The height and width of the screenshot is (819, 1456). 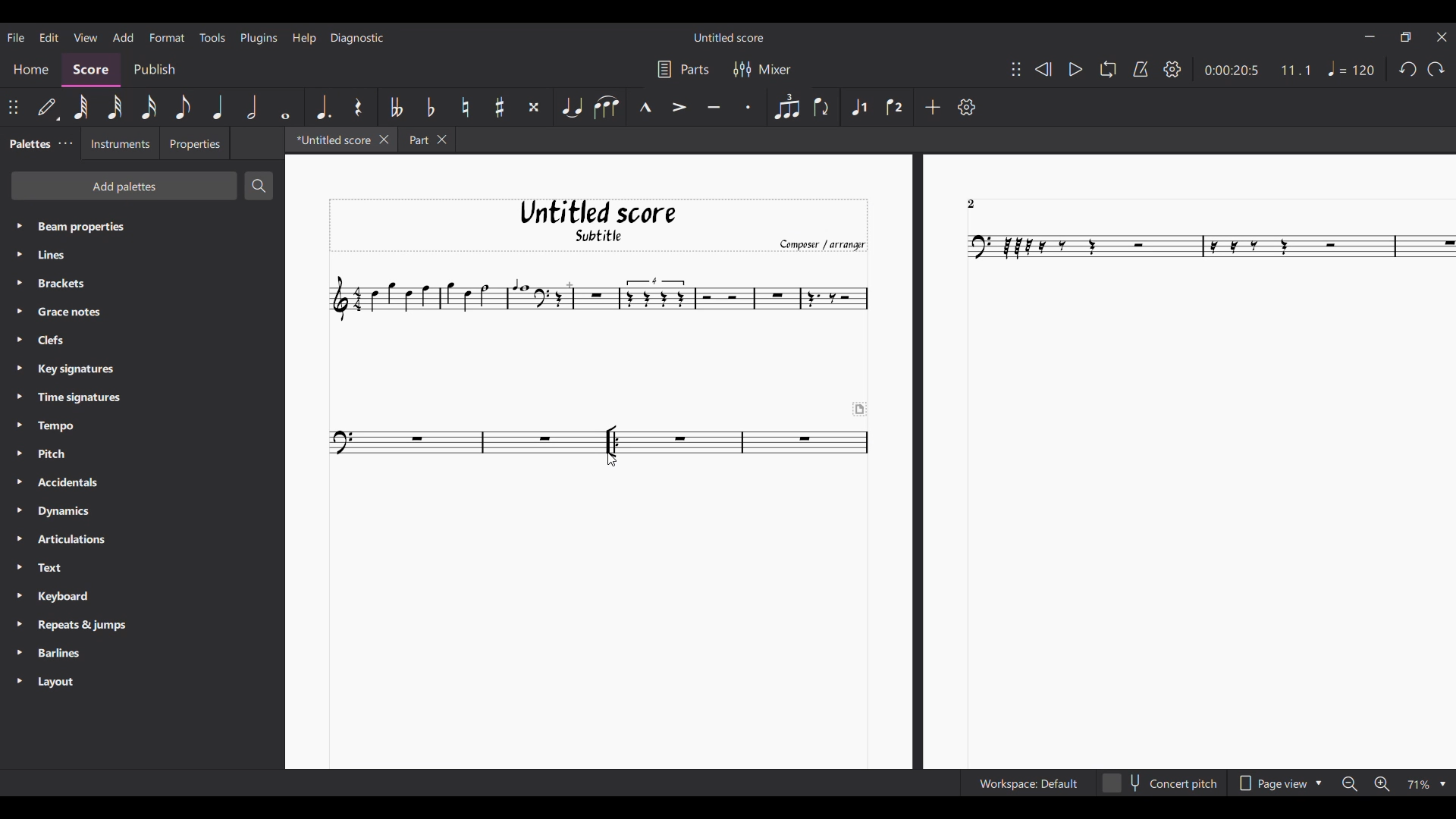 What do you see at coordinates (1370, 36) in the screenshot?
I see `Minimize` at bounding box center [1370, 36].